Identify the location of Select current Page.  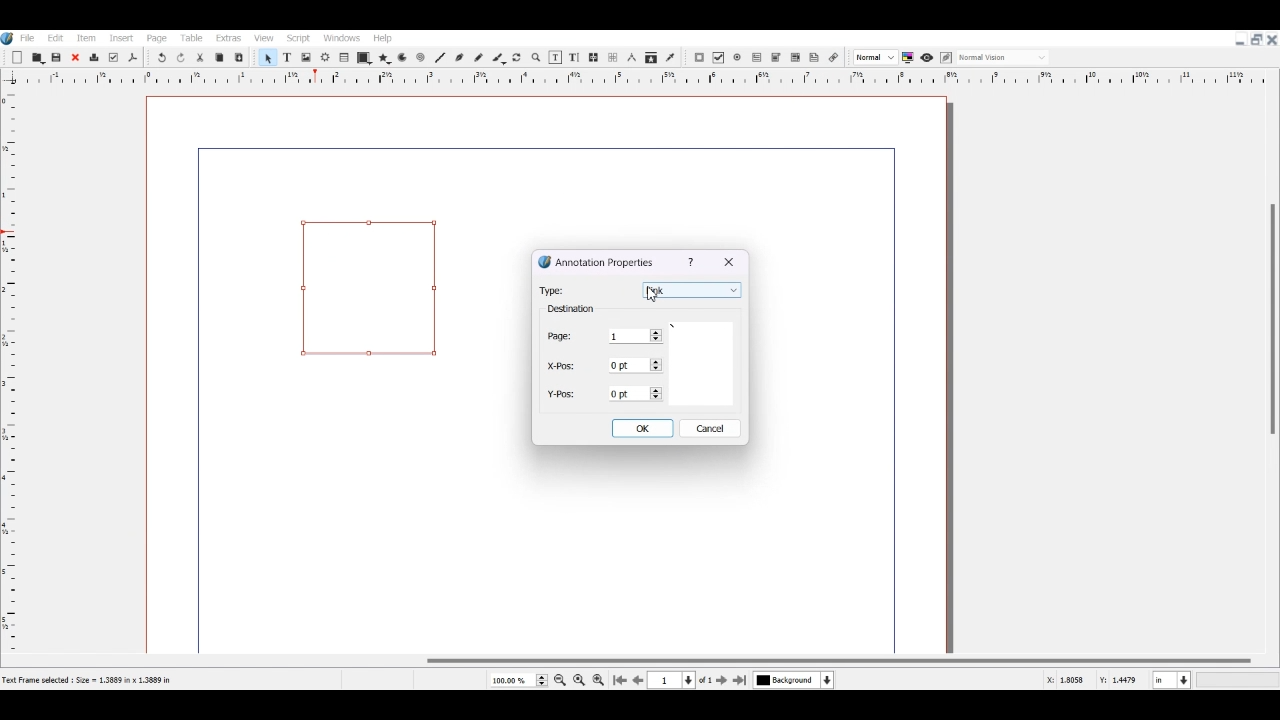
(684, 680).